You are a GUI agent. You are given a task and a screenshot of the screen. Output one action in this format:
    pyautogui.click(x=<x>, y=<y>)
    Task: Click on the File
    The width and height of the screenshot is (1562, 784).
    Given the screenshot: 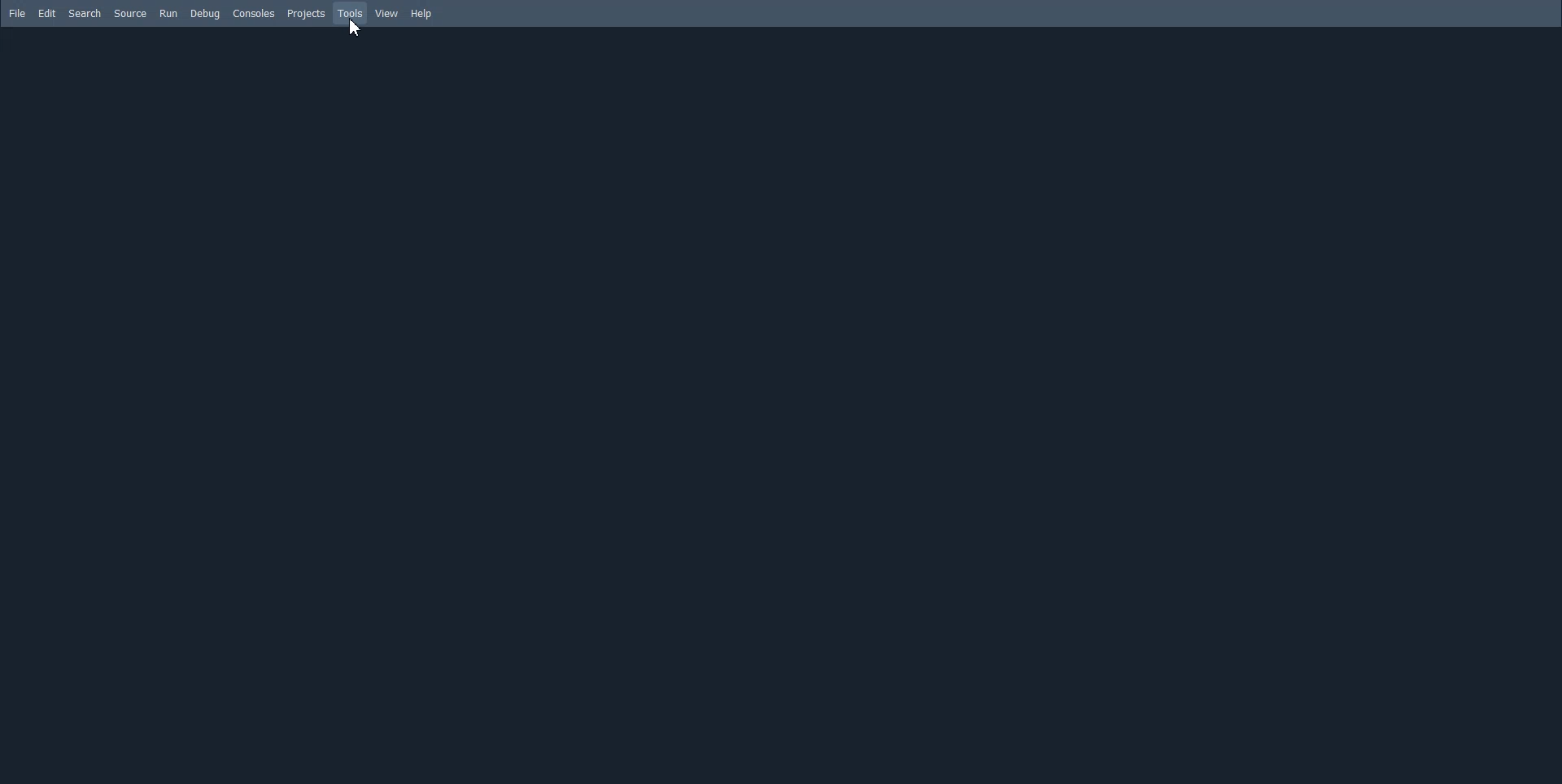 What is the action you would take?
    pyautogui.click(x=17, y=13)
    